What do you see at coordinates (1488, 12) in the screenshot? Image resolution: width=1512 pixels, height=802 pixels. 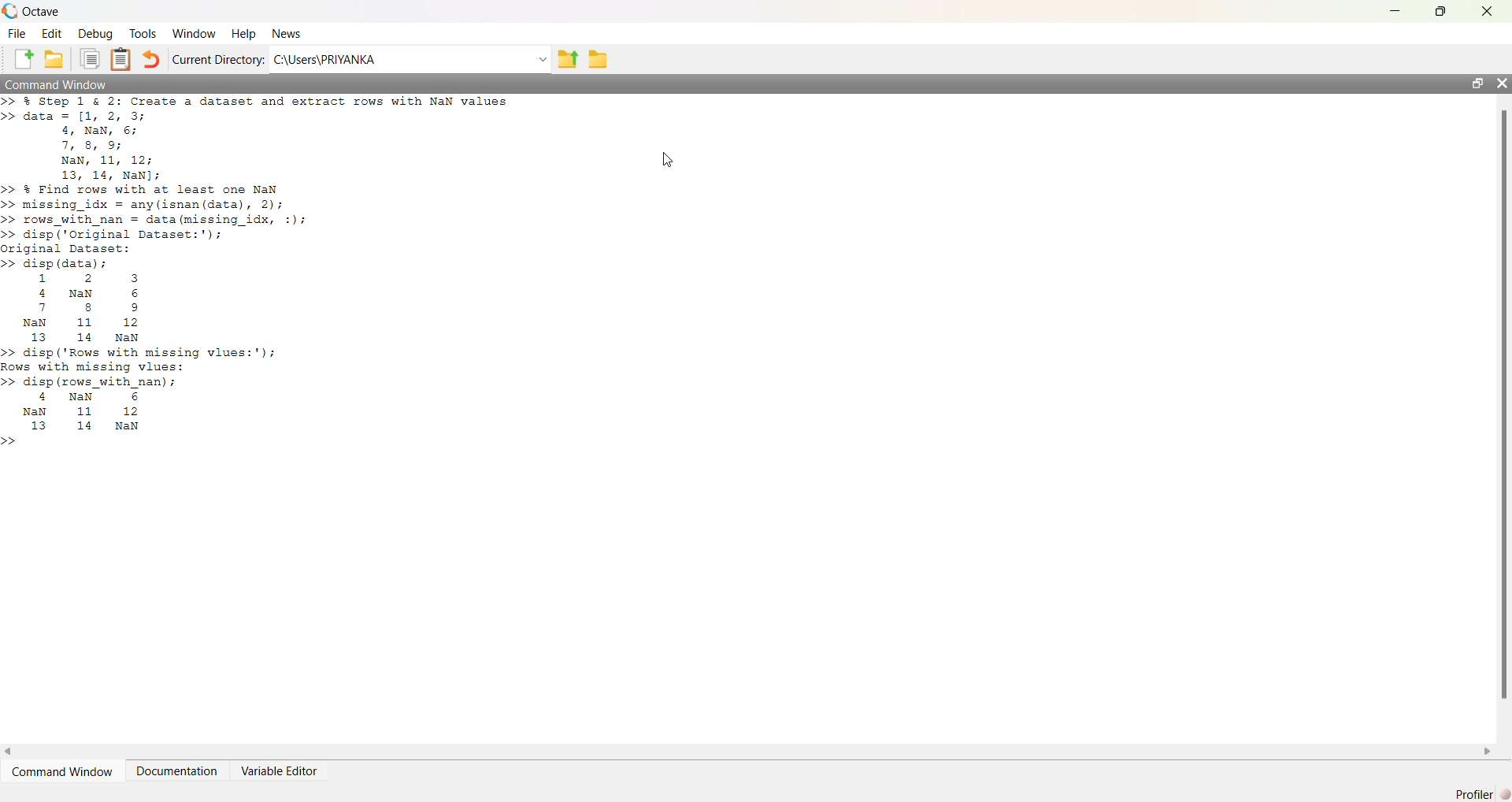 I see `close` at bounding box center [1488, 12].